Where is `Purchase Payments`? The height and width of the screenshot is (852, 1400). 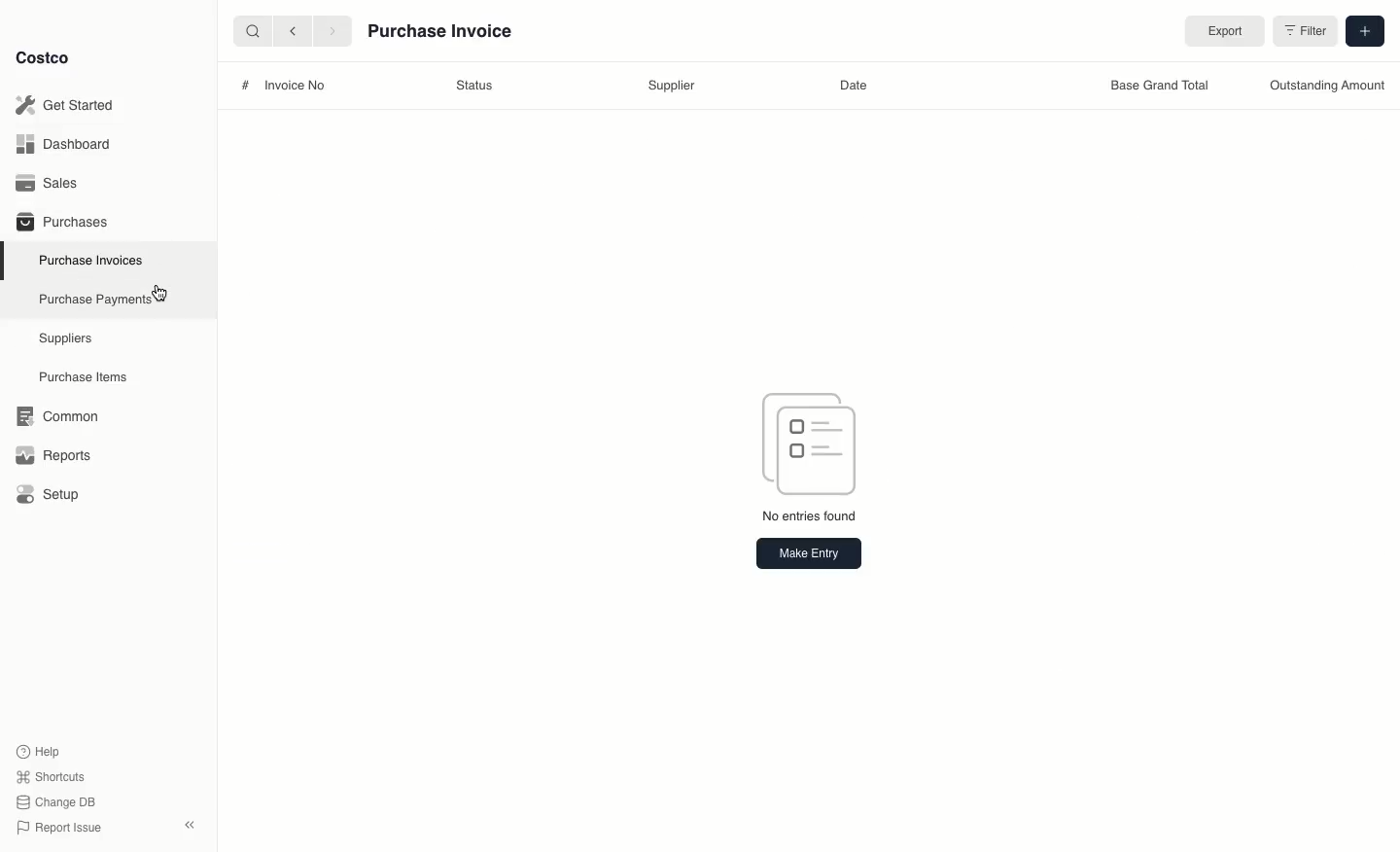
Purchase Payments is located at coordinates (94, 298).